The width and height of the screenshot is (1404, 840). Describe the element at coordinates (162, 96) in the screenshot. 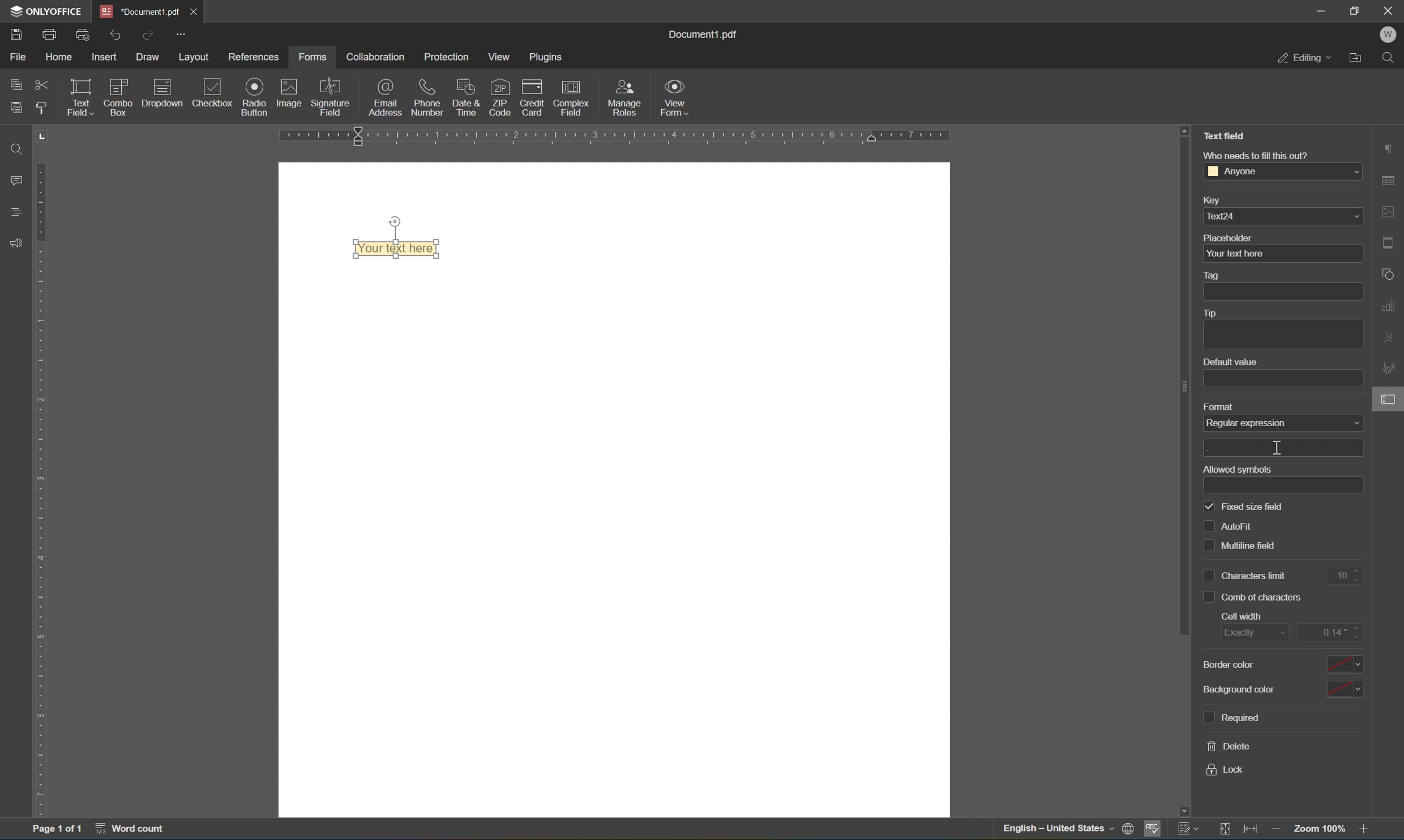

I see `icon` at that location.